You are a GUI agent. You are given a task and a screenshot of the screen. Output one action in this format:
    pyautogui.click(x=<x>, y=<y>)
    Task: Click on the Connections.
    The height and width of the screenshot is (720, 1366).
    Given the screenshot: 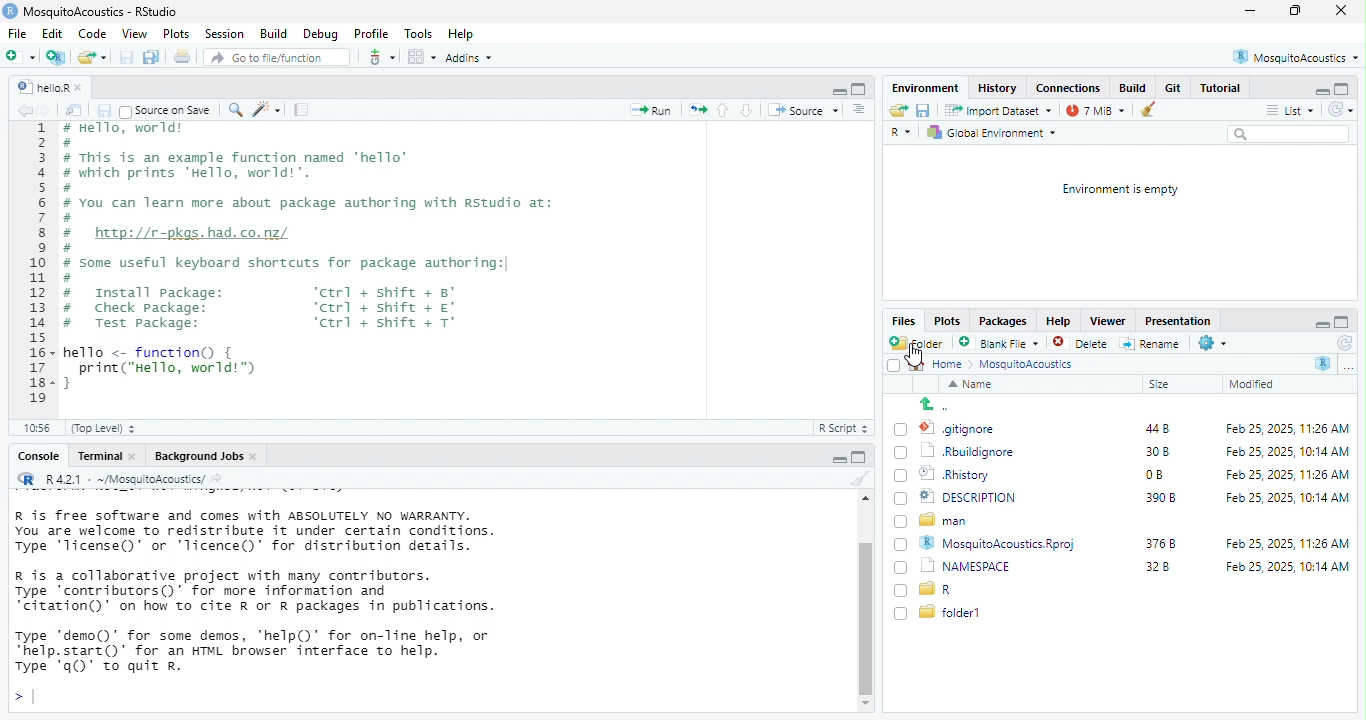 What is the action you would take?
    pyautogui.click(x=1070, y=87)
    